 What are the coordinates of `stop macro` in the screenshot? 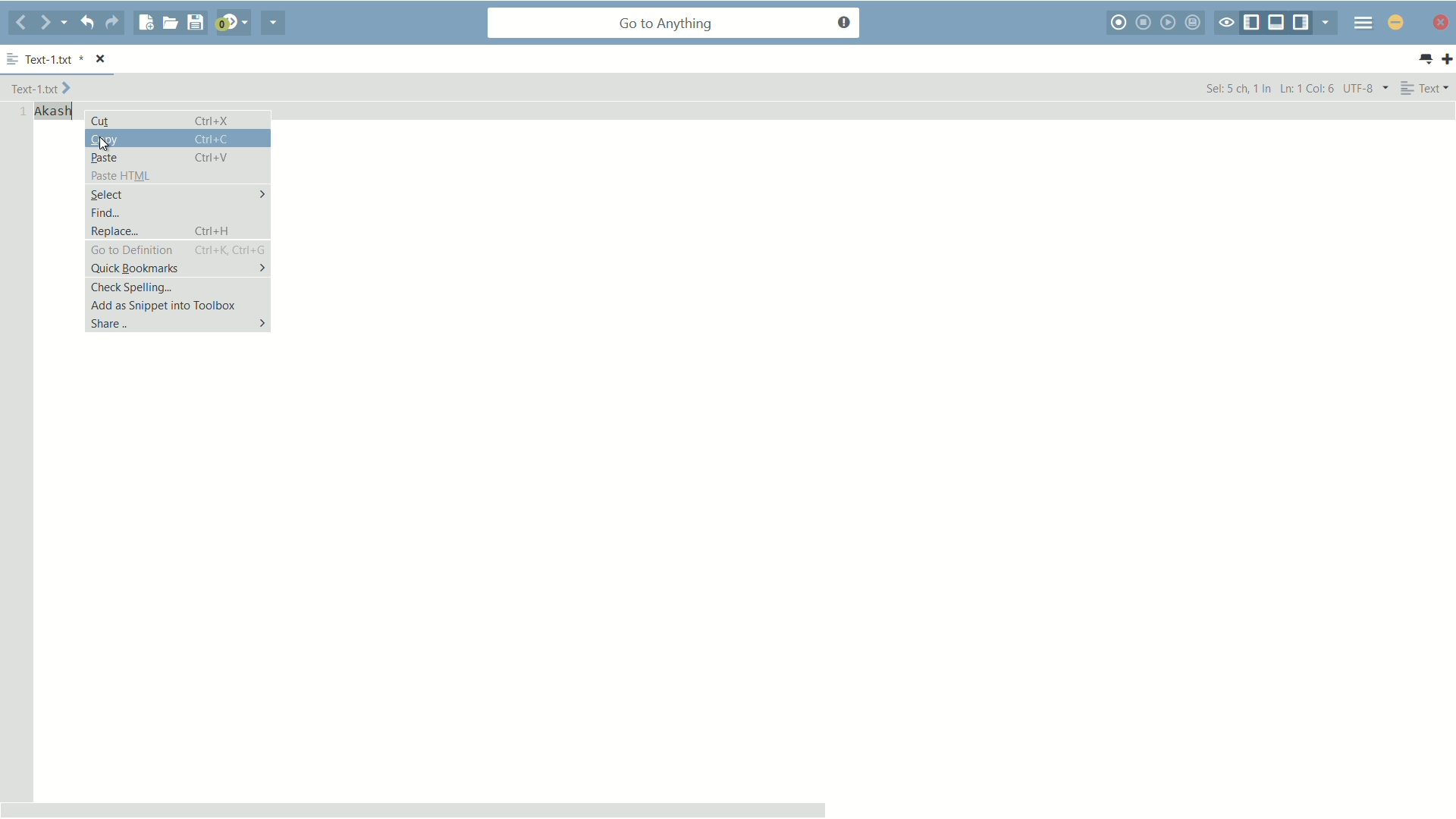 It's located at (1145, 22).